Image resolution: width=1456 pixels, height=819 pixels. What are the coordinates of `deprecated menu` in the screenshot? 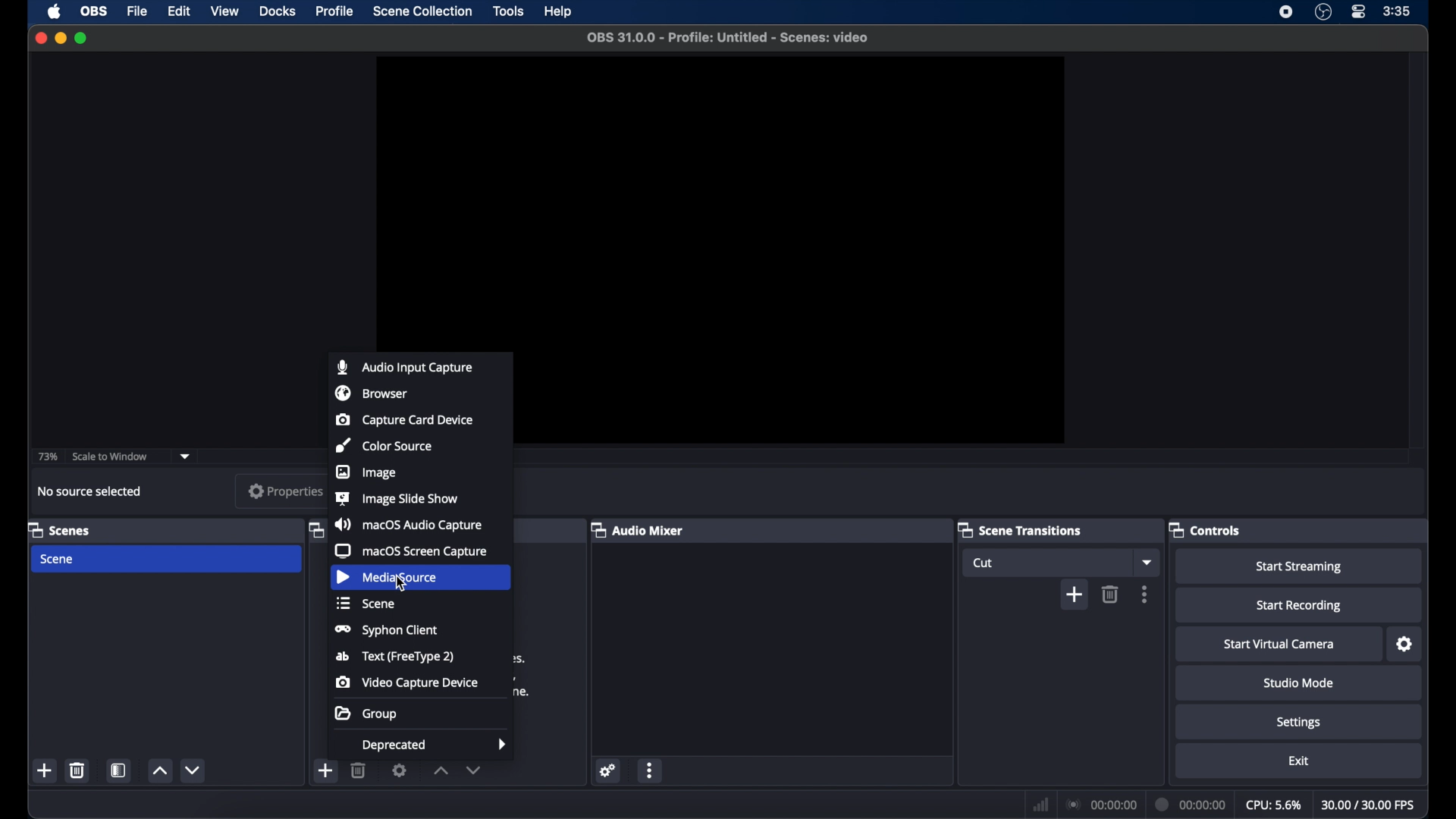 It's located at (436, 745).